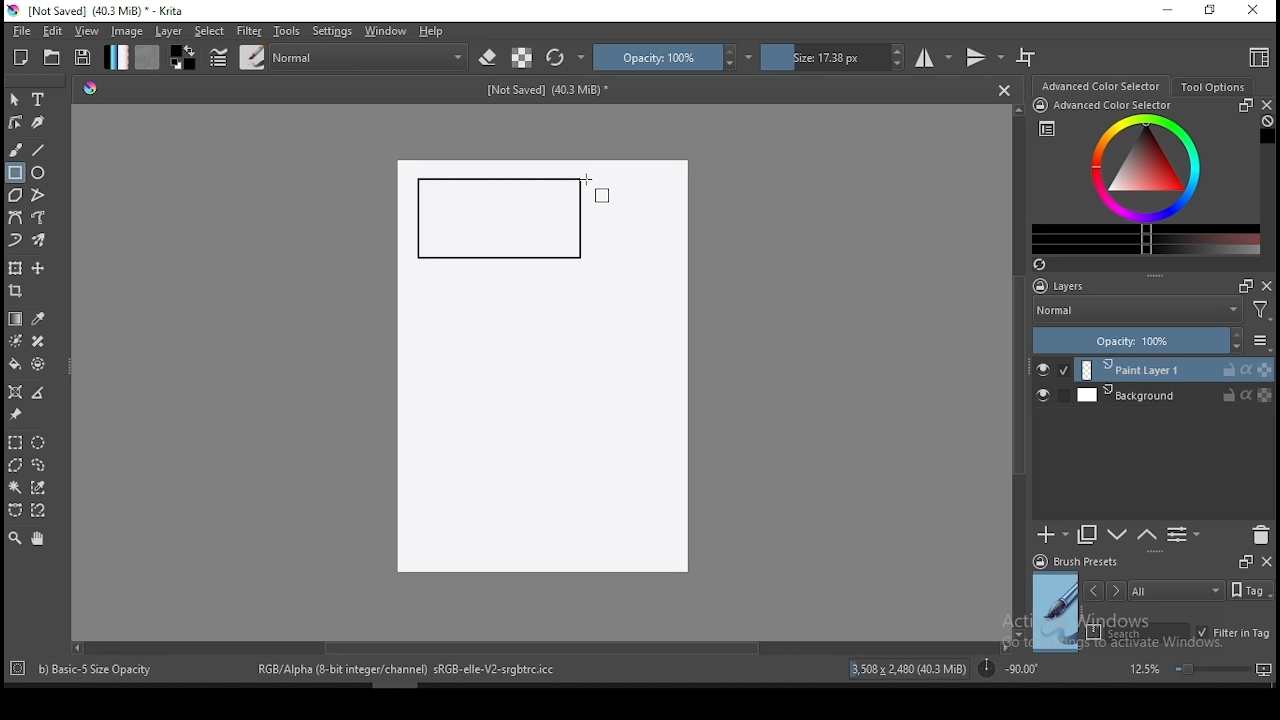 The width and height of the screenshot is (1280, 720). I want to click on new layer, so click(1053, 534).